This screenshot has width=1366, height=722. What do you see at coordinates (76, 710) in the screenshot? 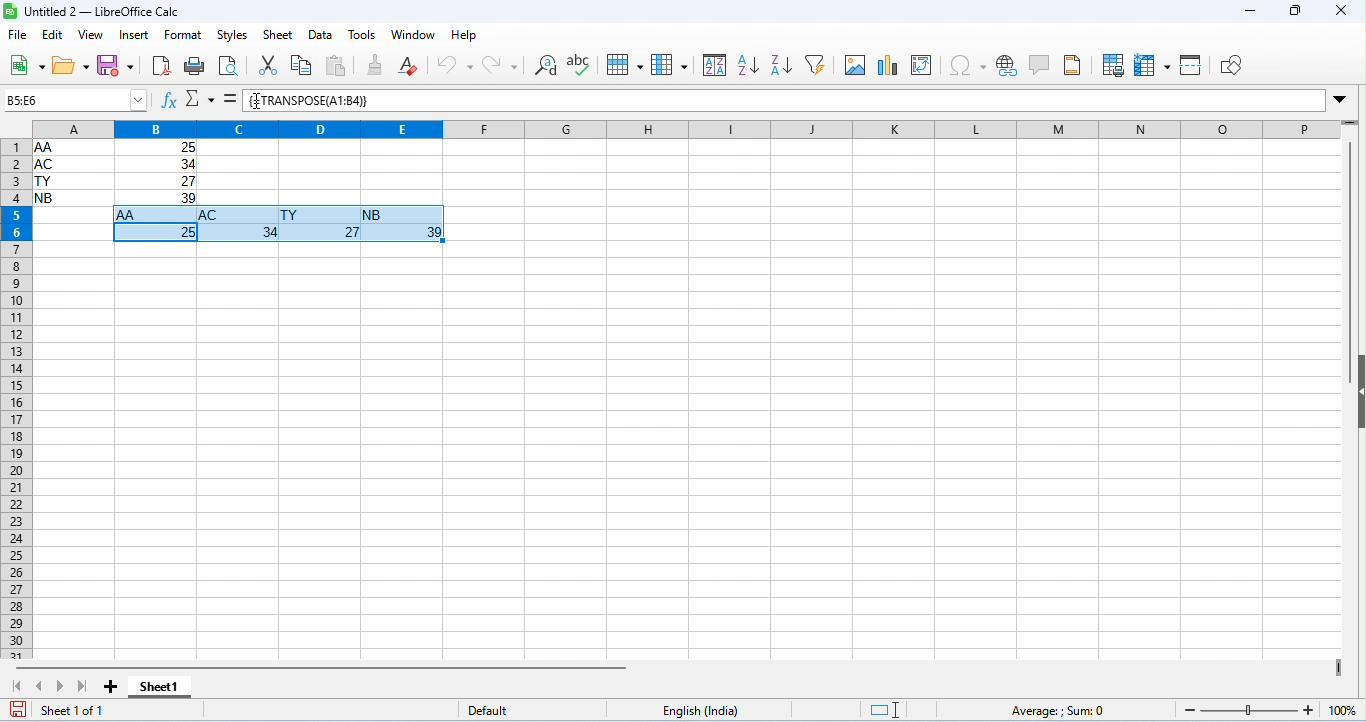
I see `sheet 1 of 1` at bounding box center [76, 710].